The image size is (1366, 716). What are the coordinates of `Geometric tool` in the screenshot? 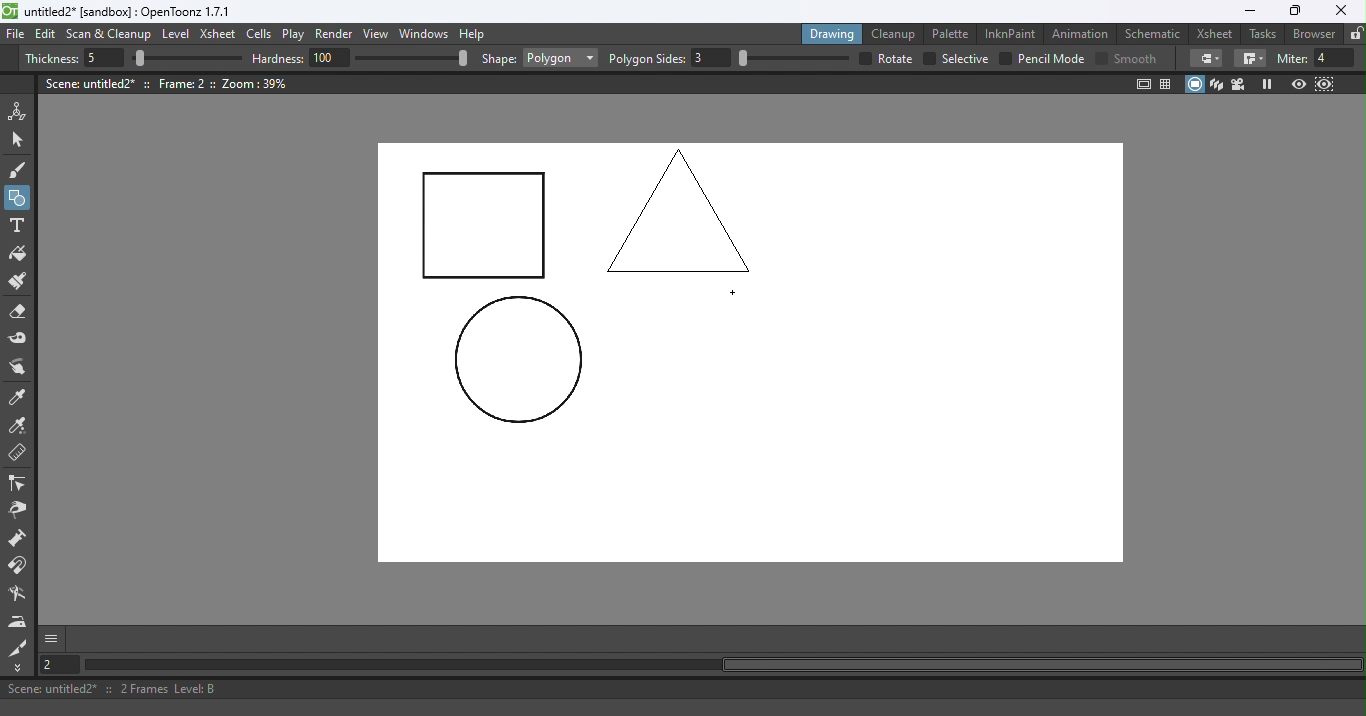 It's located at (19, 198).